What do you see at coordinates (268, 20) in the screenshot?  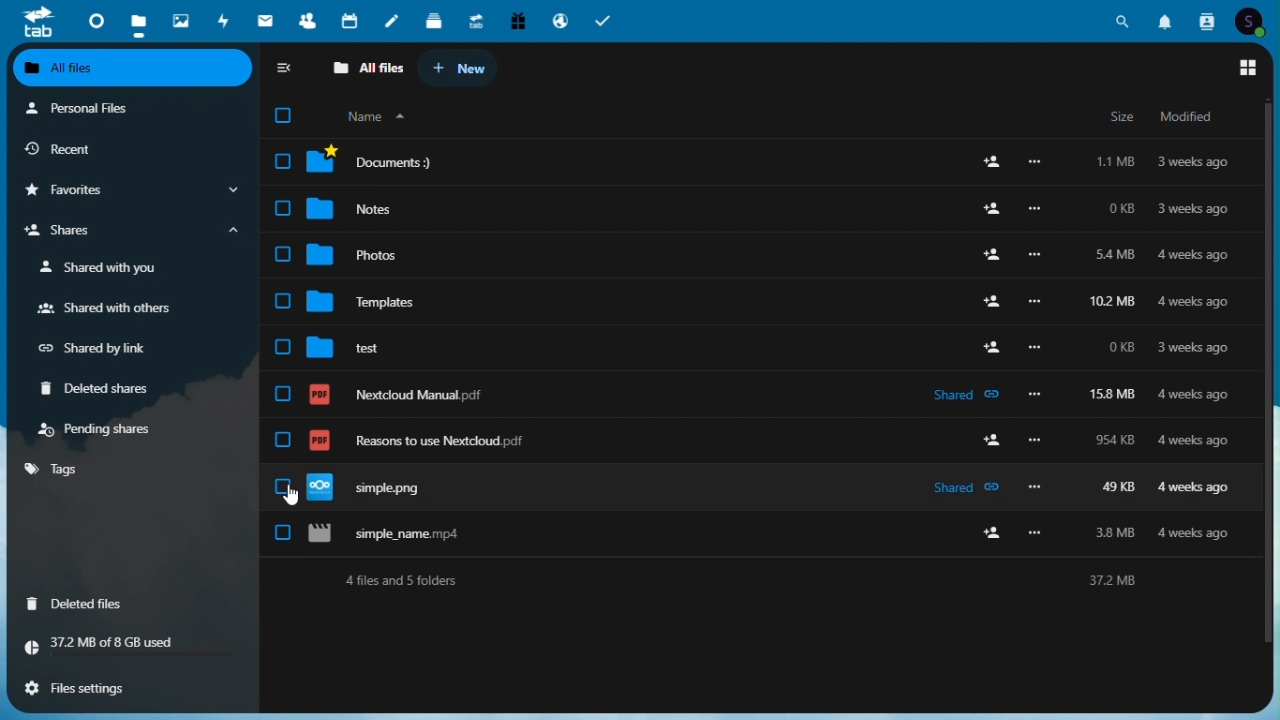 I see `mail` at bounding box center [268, 20].